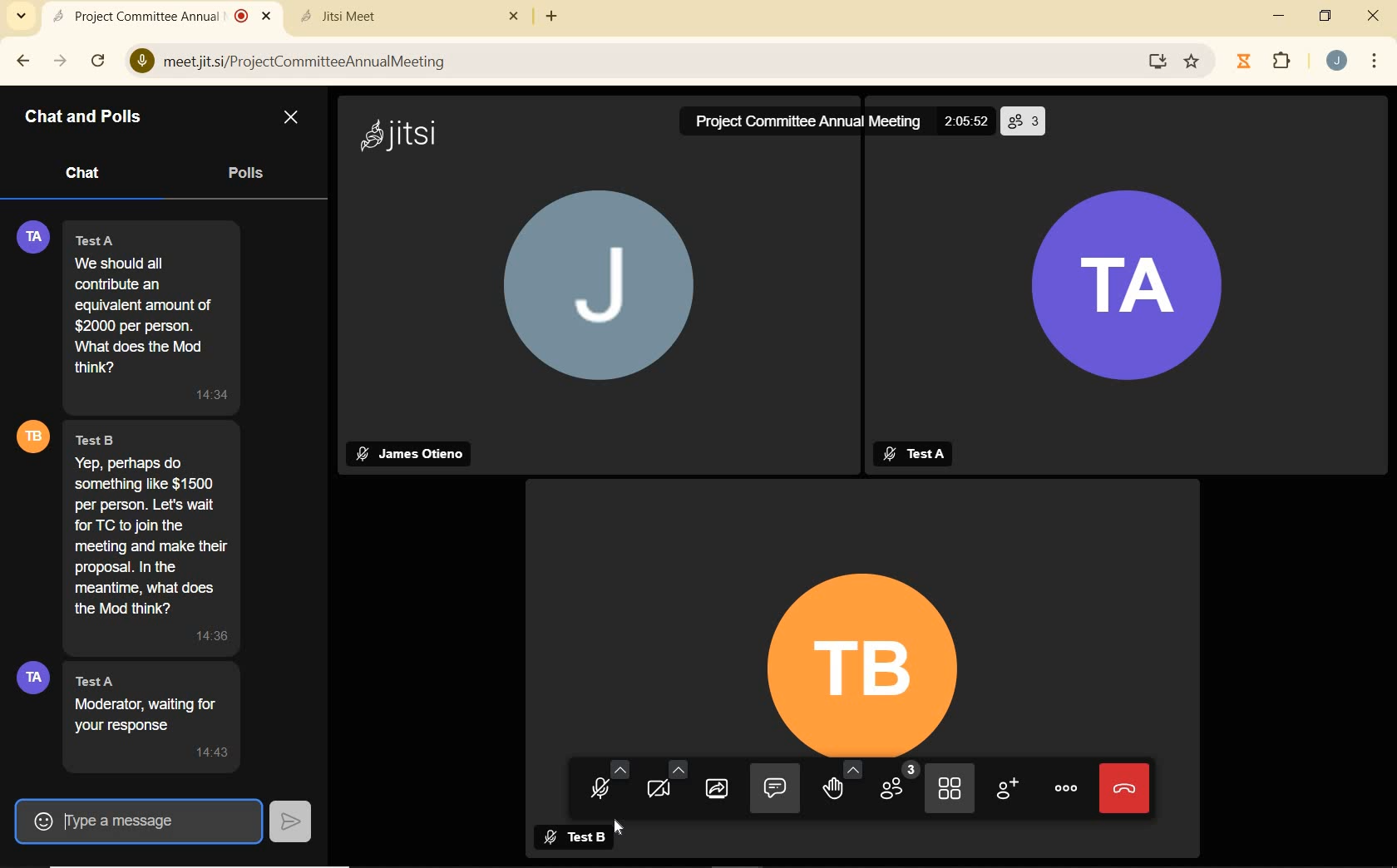  What do you see at coordinates (154, 714) in the screenshot?
I see `Moderator, waiting for
your response` at bounding box center [154, 714].